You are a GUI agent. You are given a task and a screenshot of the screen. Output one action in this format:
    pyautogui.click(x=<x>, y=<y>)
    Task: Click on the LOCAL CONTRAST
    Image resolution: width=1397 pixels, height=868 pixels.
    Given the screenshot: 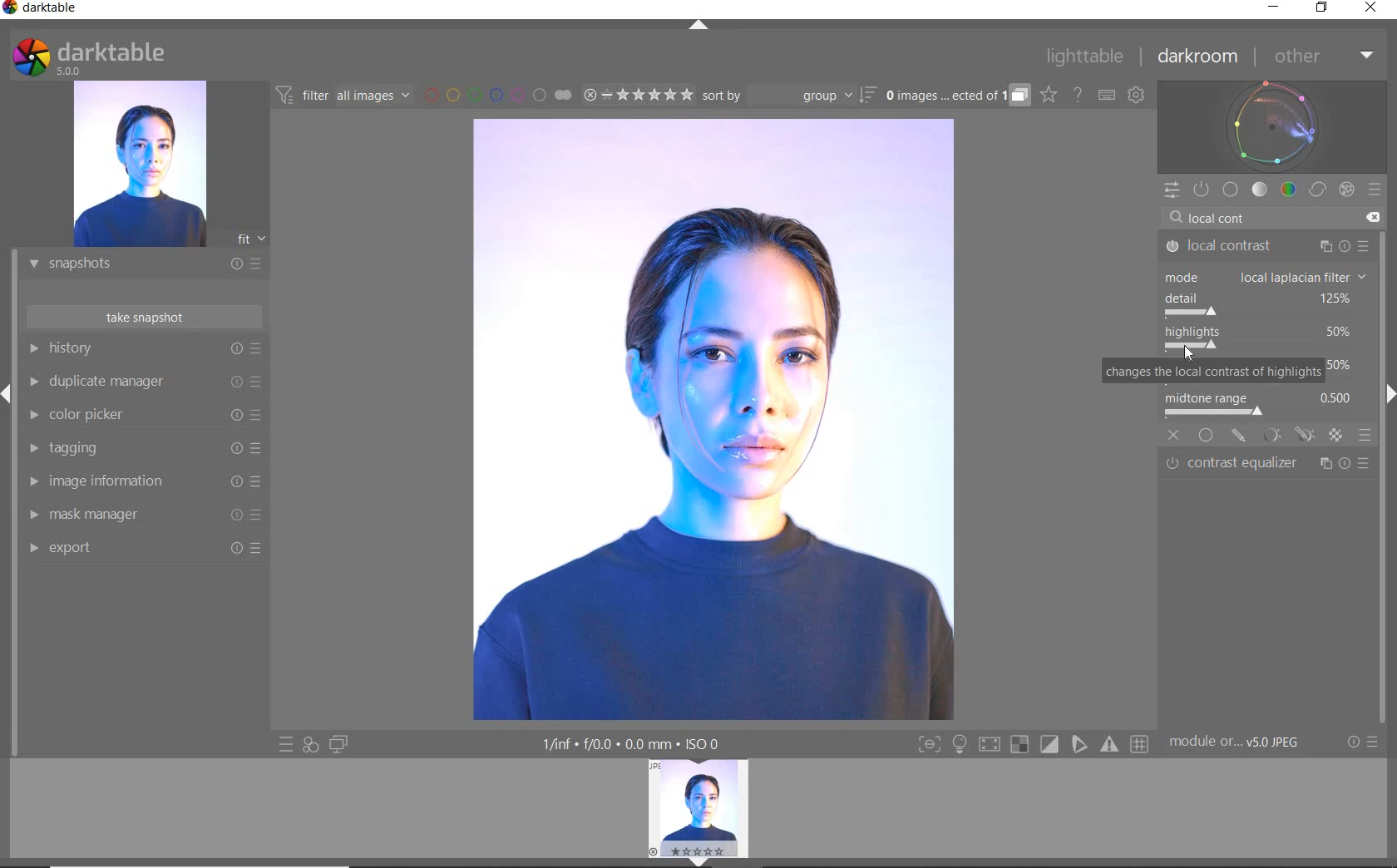 What is the action you would take?
    pyautogui.click(x=1267, y=247)
    